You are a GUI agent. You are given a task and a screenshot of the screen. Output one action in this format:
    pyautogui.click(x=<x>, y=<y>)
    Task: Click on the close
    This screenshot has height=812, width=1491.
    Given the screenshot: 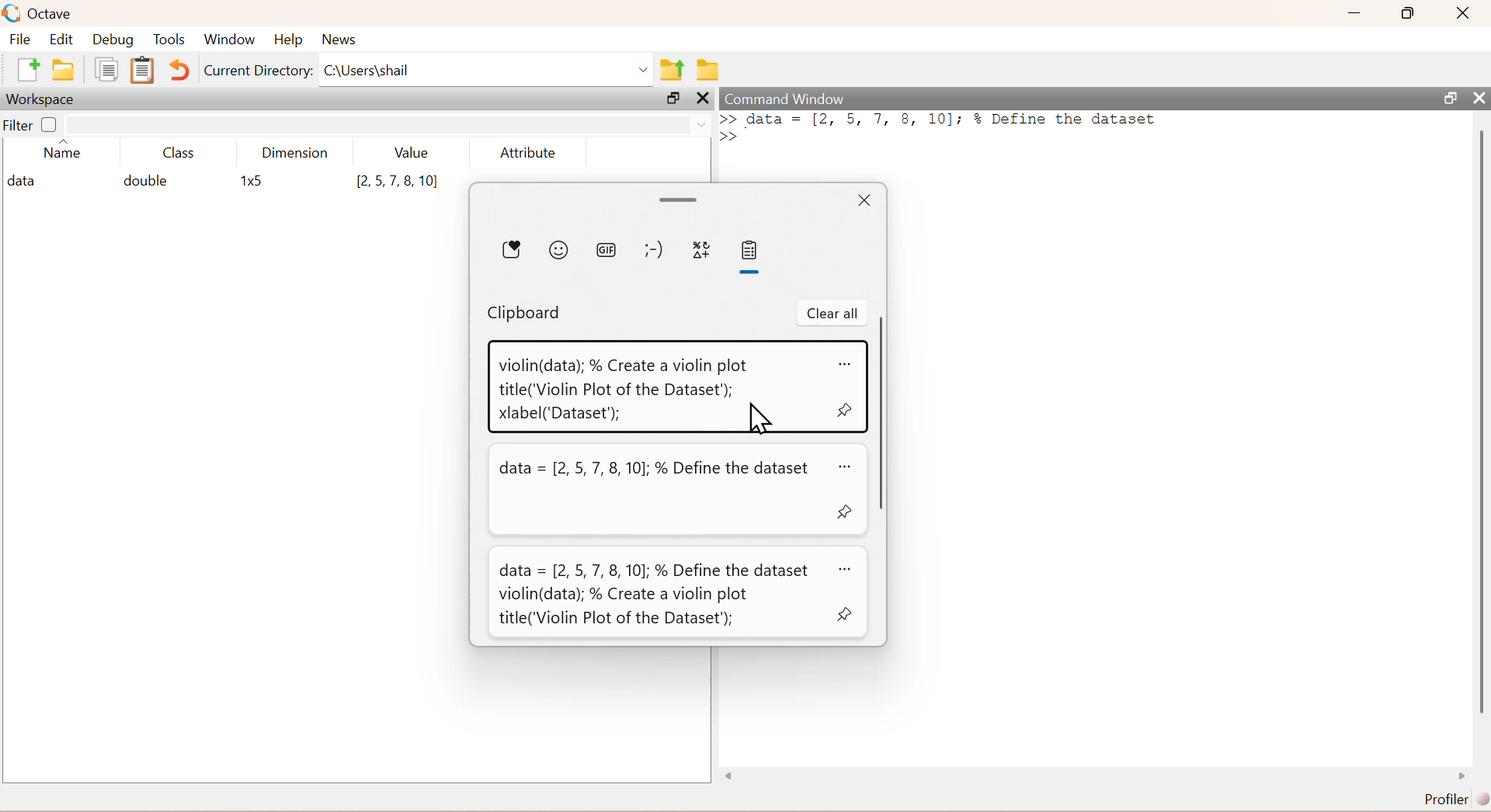 What is the action you would take?
    pyautogui.click(x=1479, y=98)
    